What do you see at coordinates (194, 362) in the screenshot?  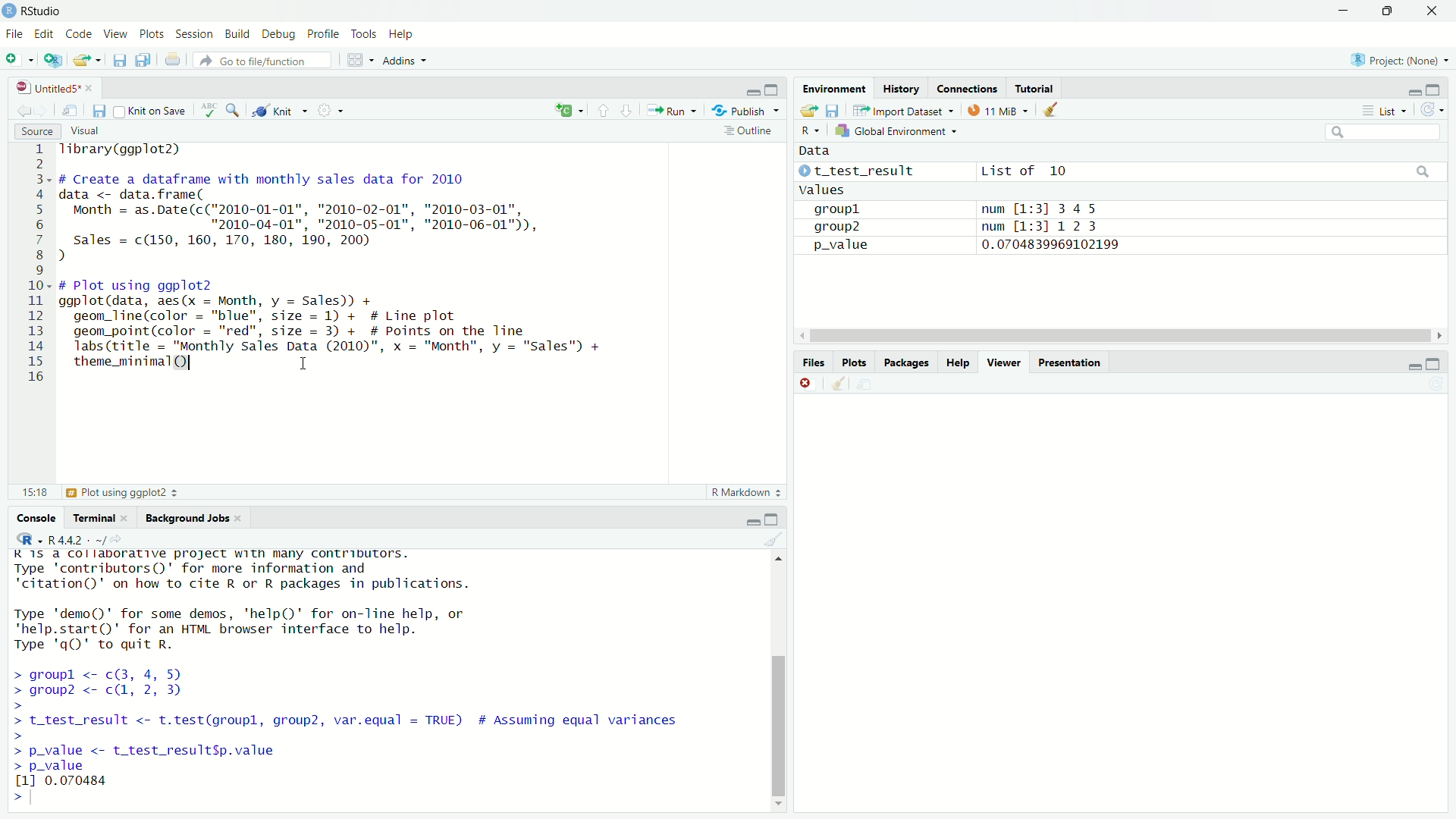 I see `cursor` at bounding box center [194, 362].